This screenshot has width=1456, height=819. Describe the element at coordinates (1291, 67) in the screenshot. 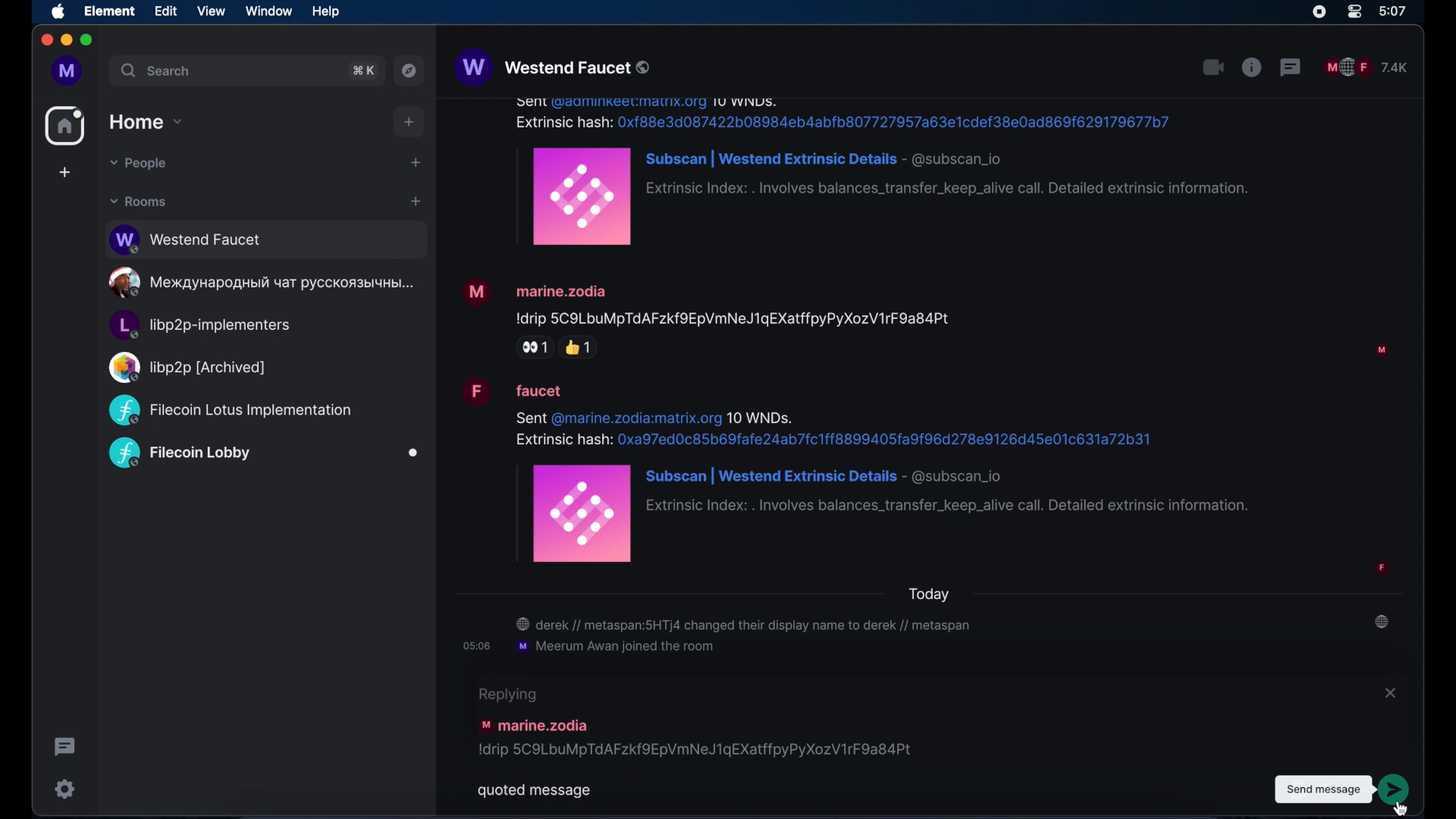

I see `threads` at that location.